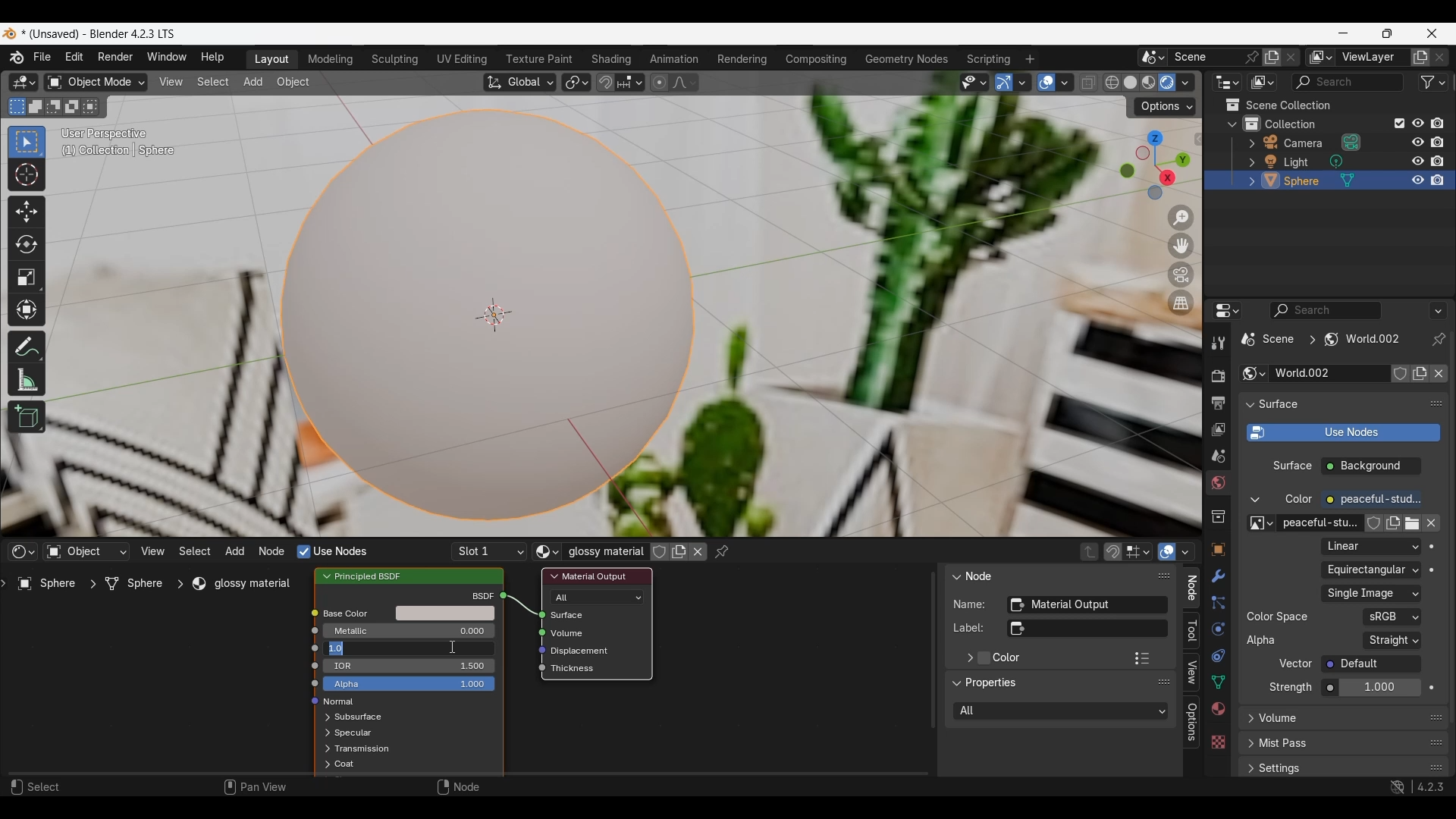 This screenshot has height=819, width=1456. What do you see at coordinates (1432, 570) in the screenshot?
I see `Animate property` at bounding box center [1432, 570].